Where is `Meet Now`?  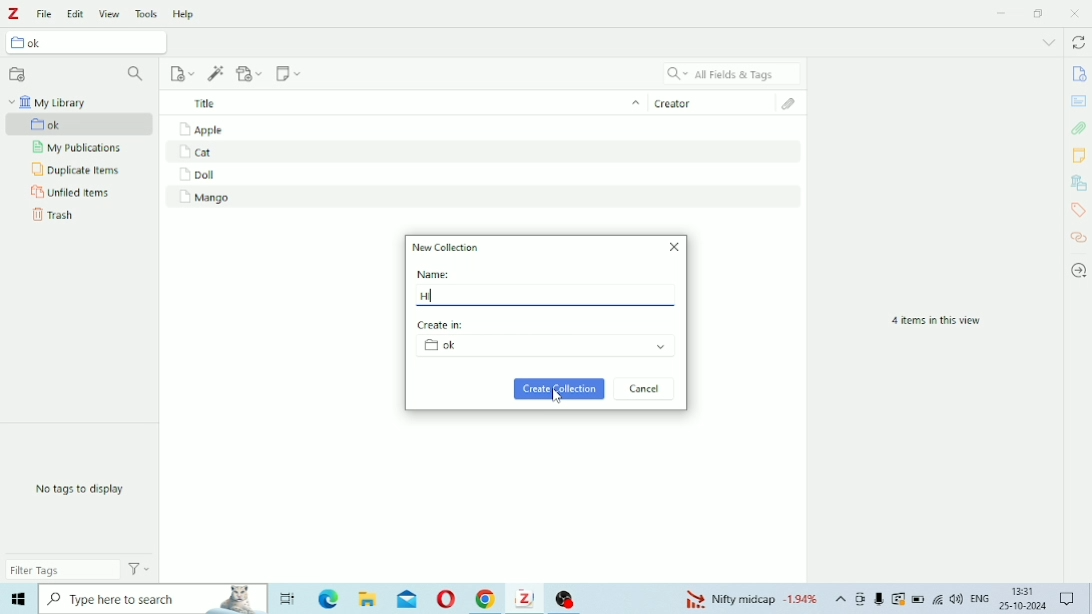
Meet Now is located at coordinates (861, 599).